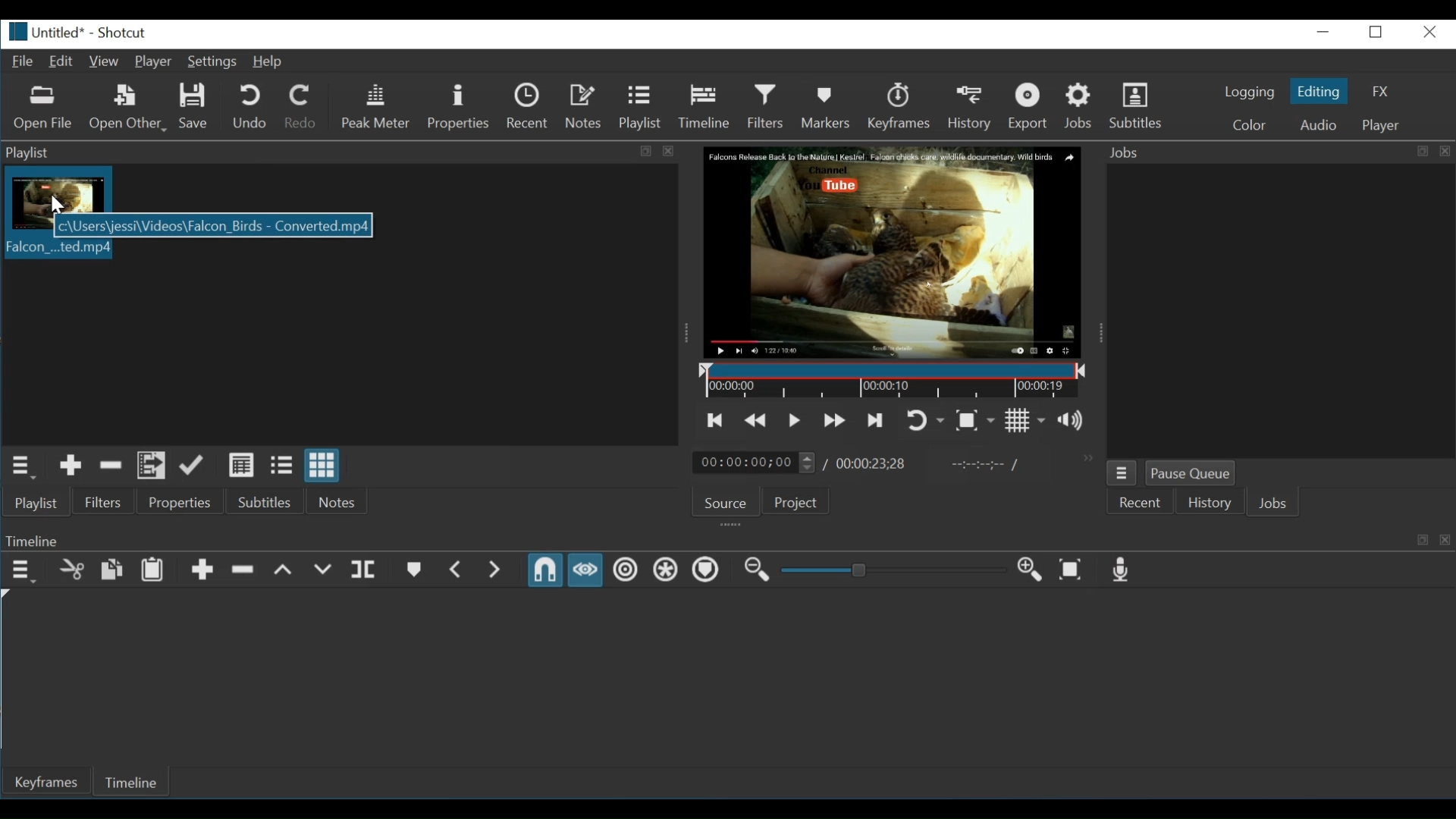 This screenshot has height=819, width=1456. I want to click on View, so click(103, 62).